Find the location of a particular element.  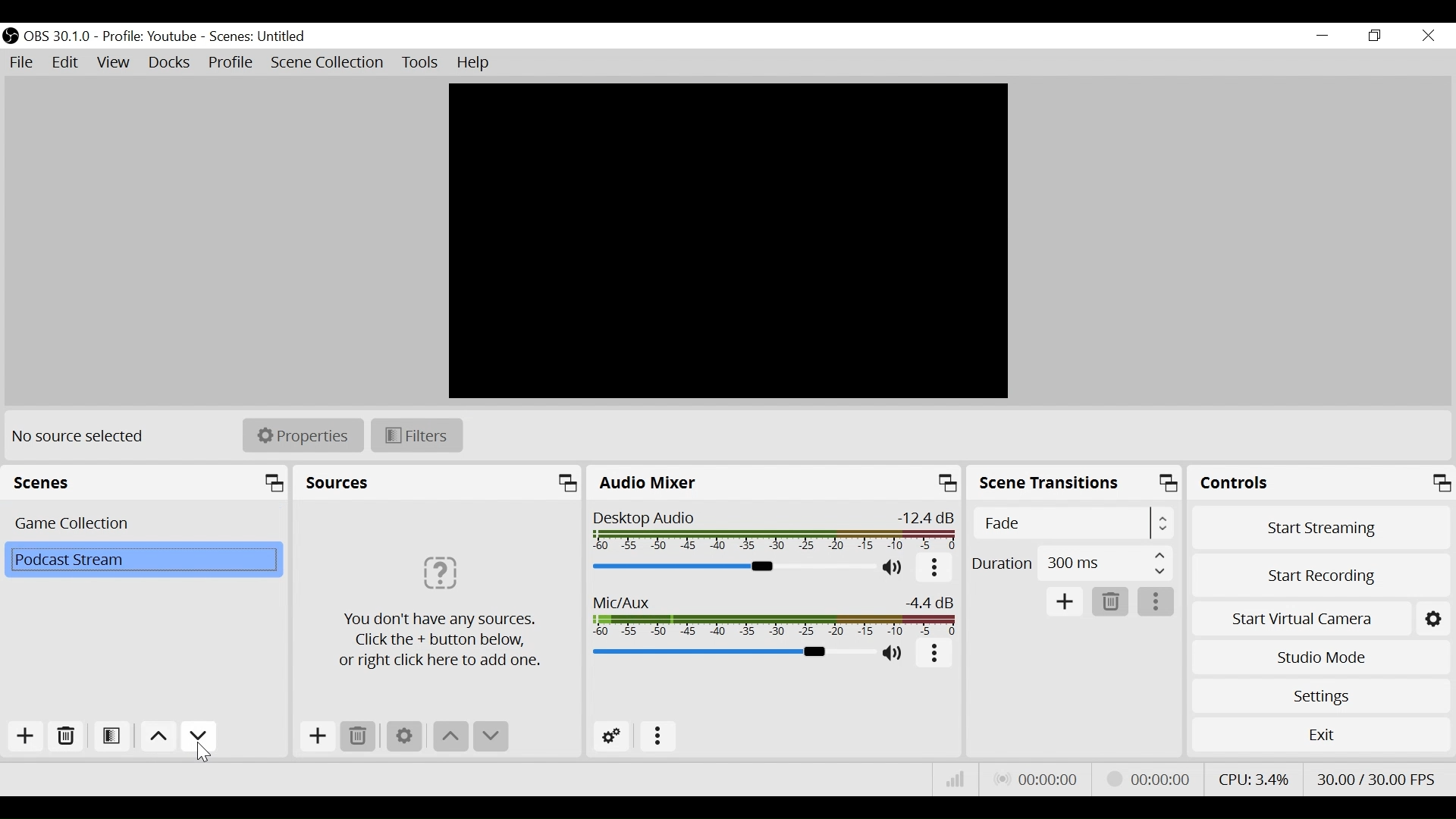

Scene is located at coordinates (143, 523).